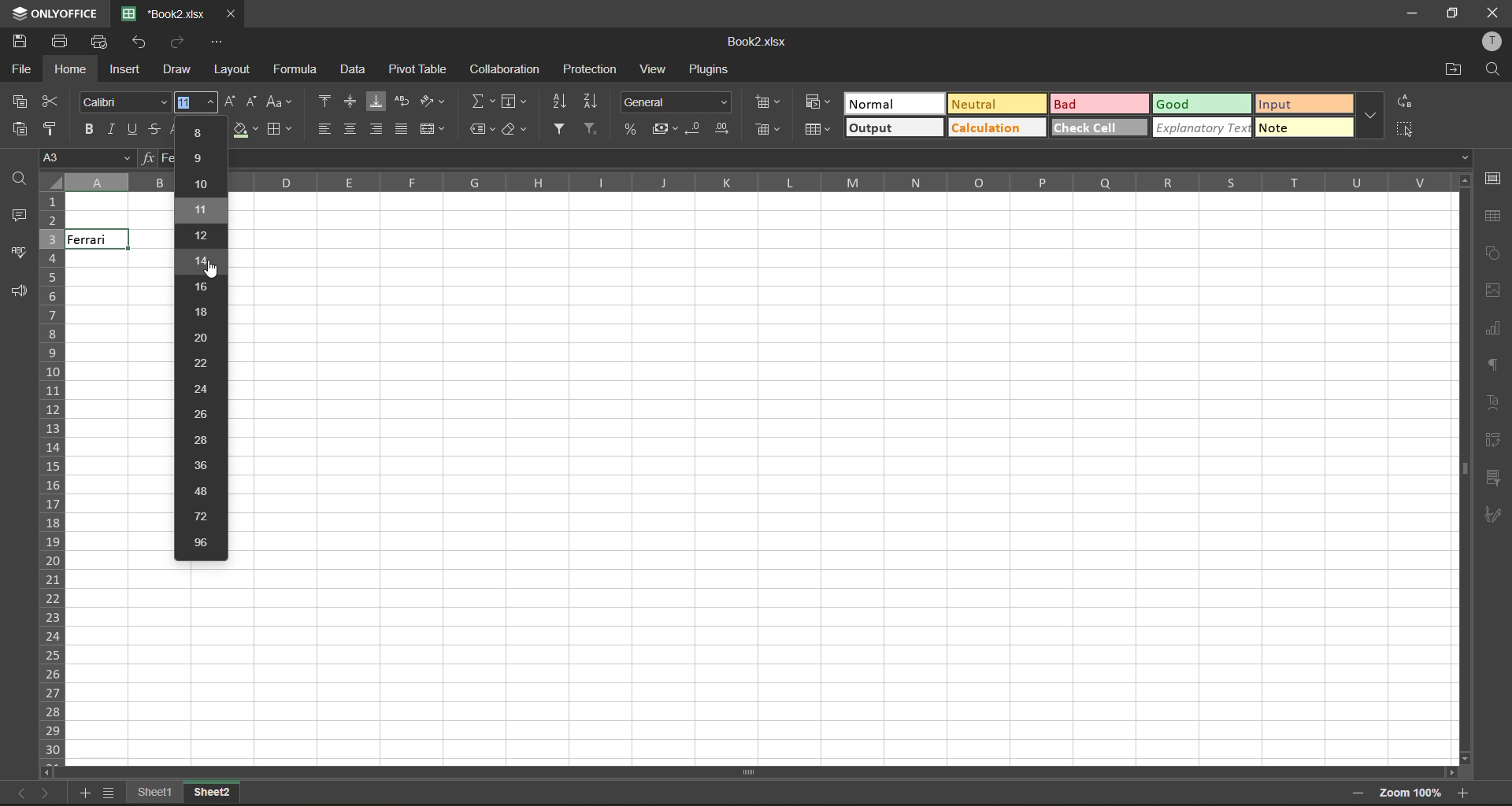 This screenshot has width=1512, height=806. What do you see at coordinates (228, 796) in the screenshot?
I see `sheet 2` at bounding box center [228, 796].